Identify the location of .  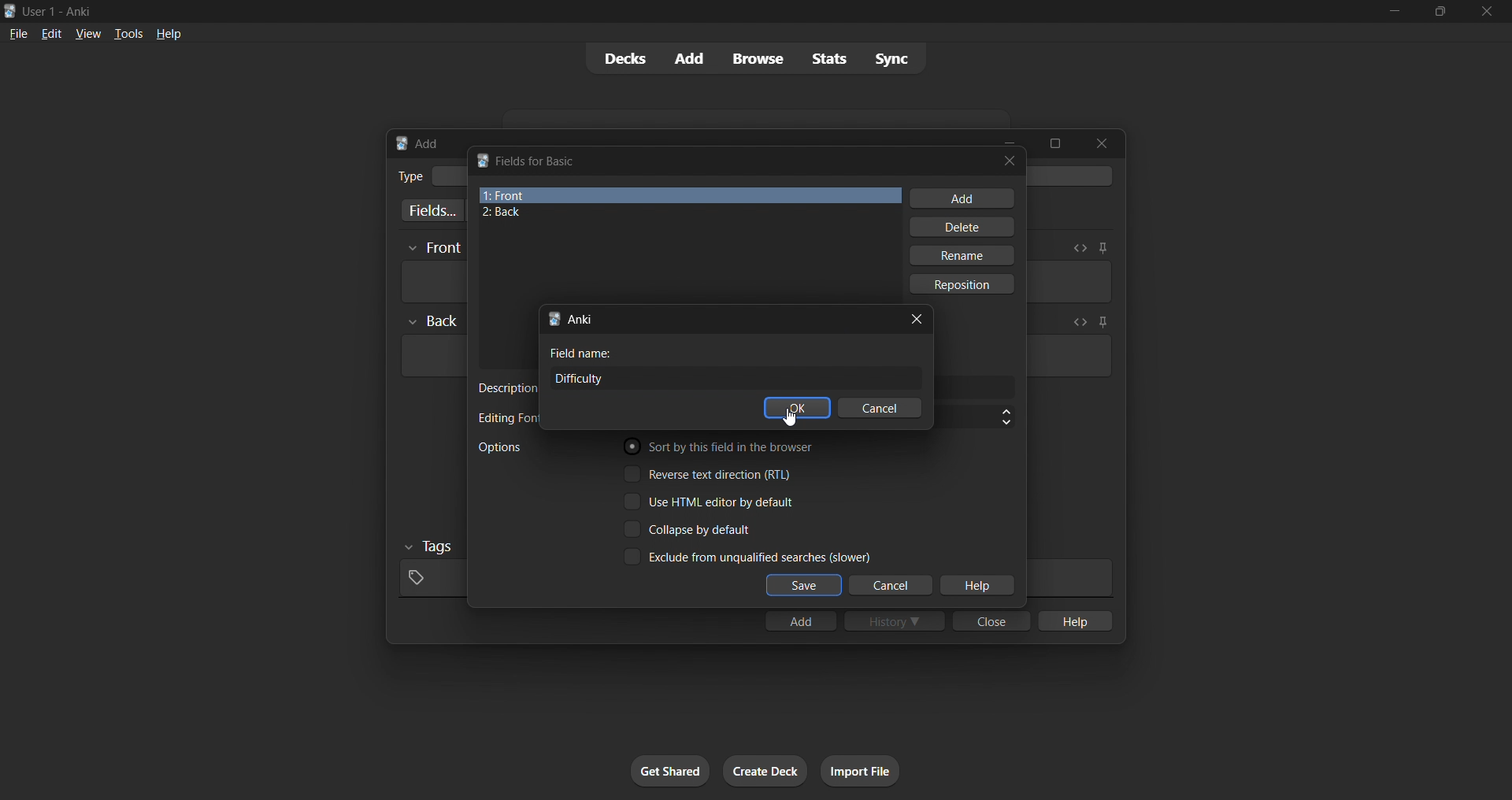
(430, 547).